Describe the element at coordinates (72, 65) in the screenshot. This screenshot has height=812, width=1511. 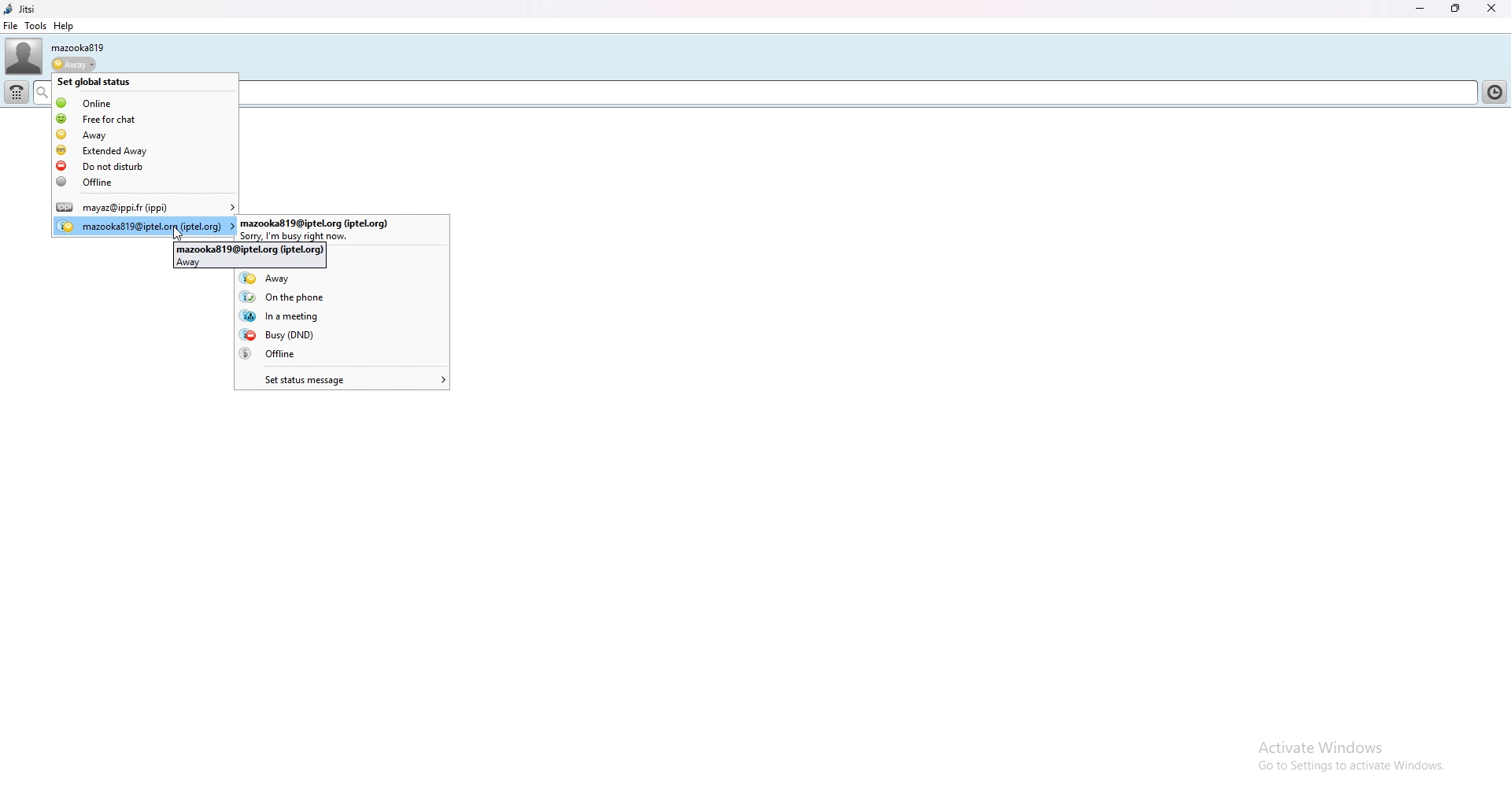
I see `status` at that location.